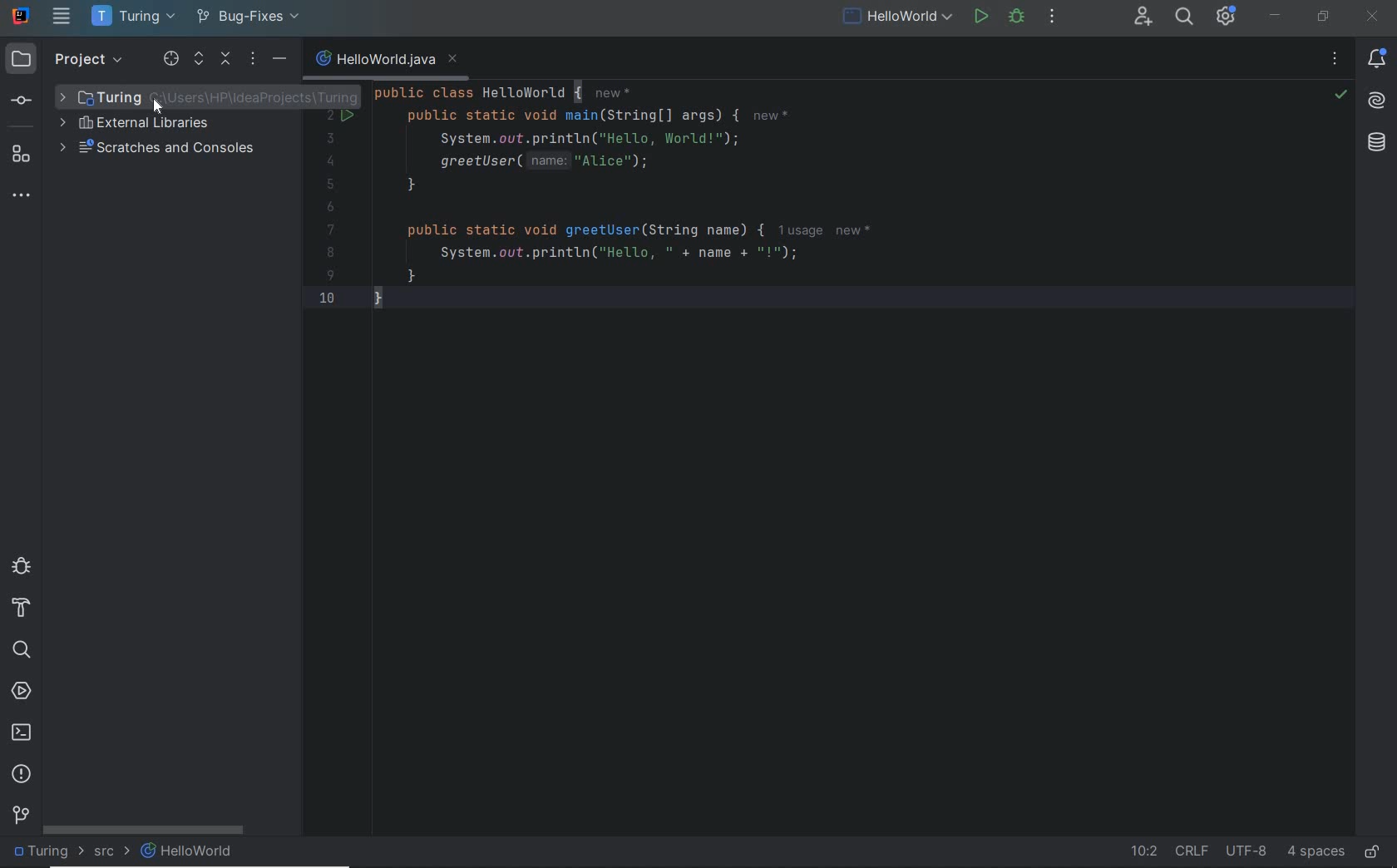 This screenshot has width=1397, height=868. Describe the element at coordinates (1227, 17) in the screenshot. I see `IDE & Project Settings` at that location.